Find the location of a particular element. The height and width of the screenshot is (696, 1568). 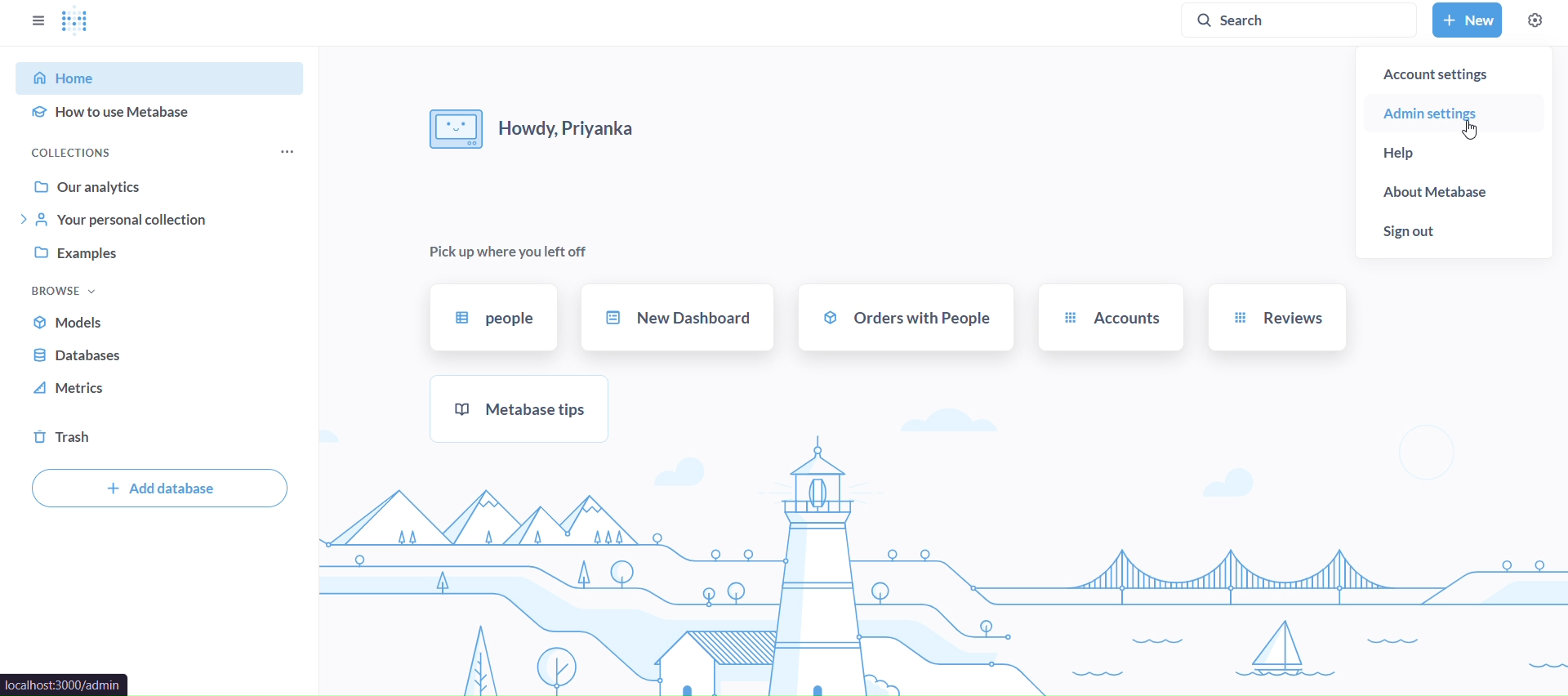

about metabase is located at coordinates (1454, 193).